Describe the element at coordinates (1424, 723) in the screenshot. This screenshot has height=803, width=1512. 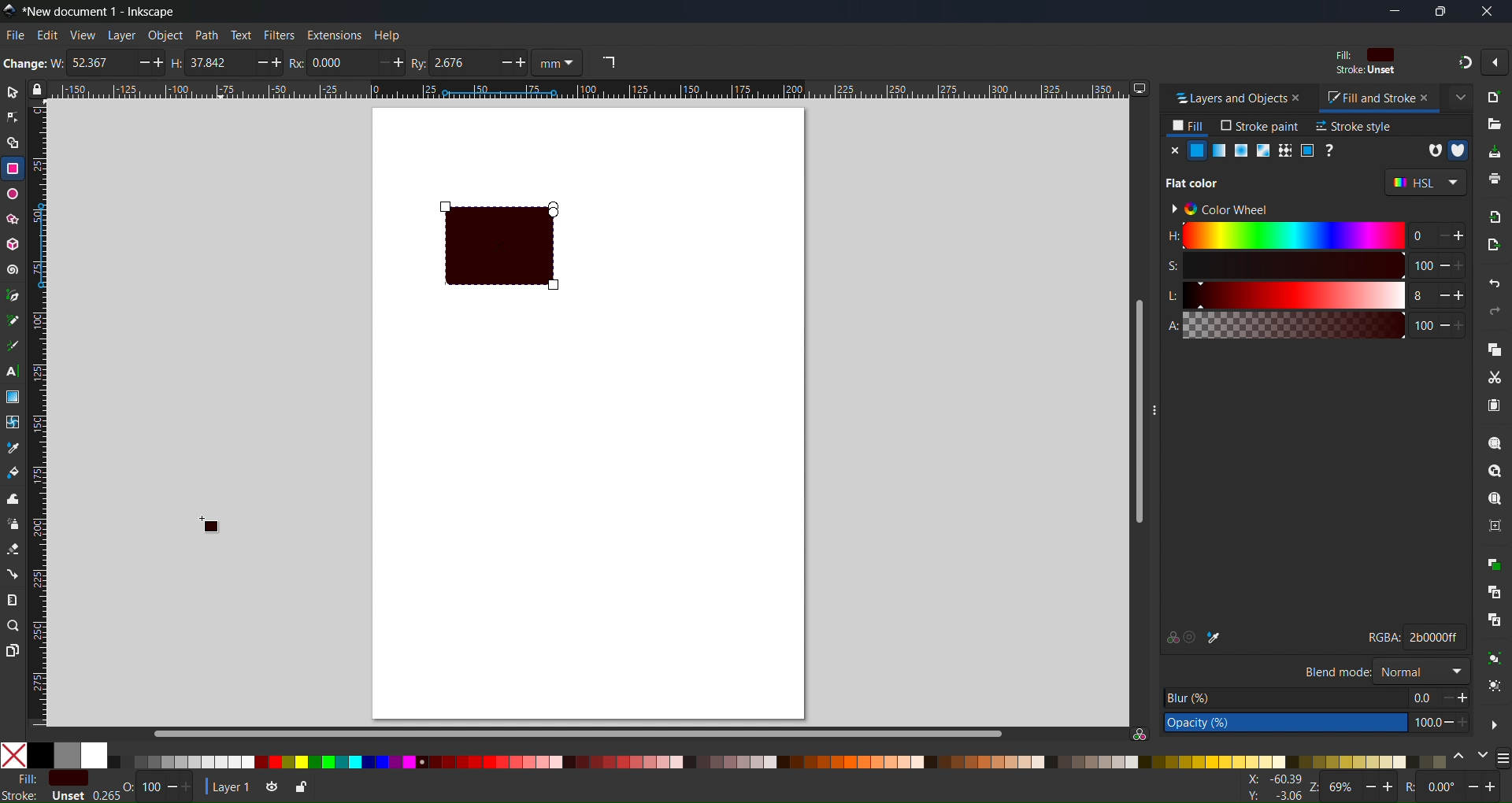
I see `current opacity: 100` at that location.